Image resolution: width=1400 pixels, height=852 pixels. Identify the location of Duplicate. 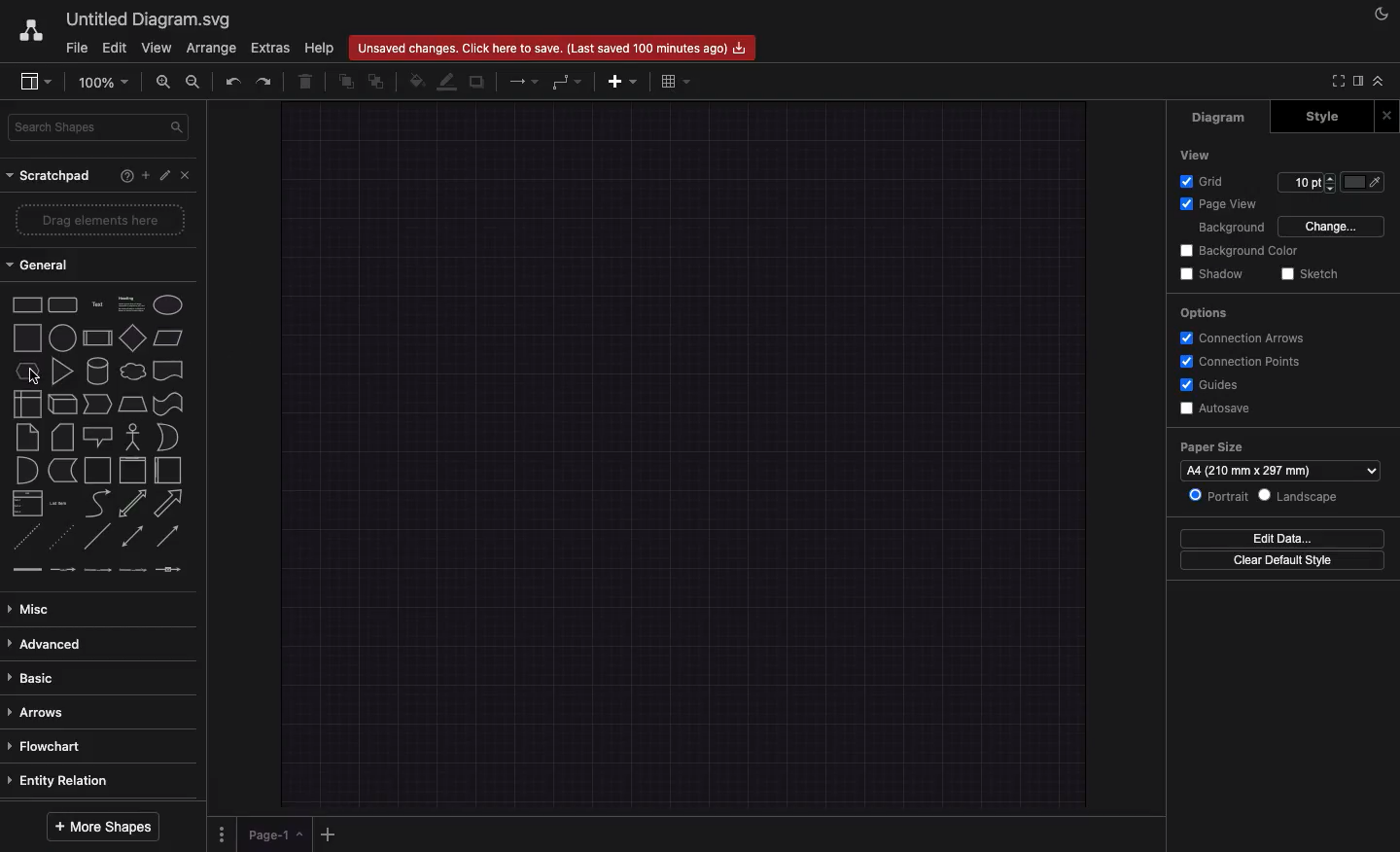
(479, 82).